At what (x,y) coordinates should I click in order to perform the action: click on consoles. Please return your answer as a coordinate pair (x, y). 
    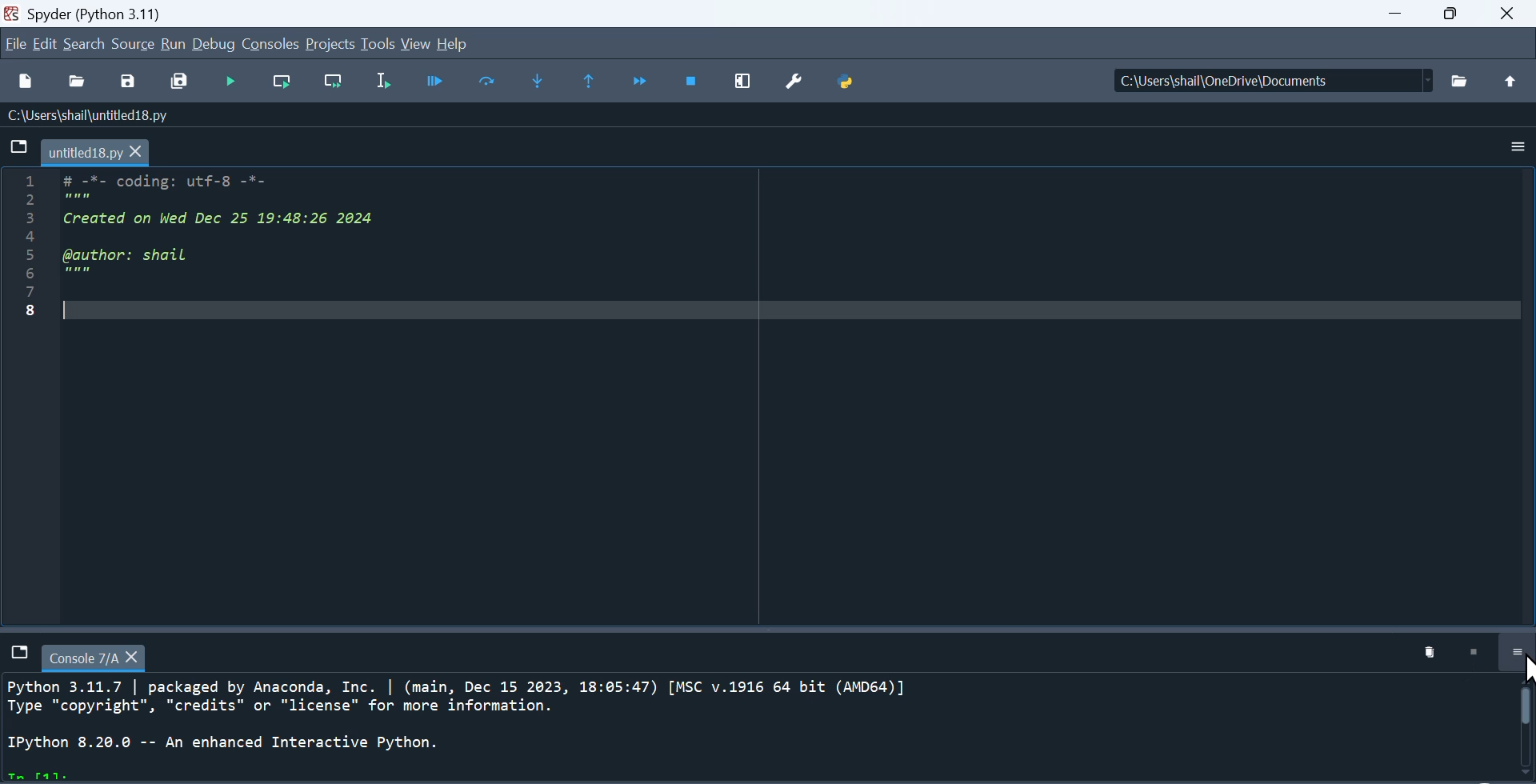
    Looking at the image, I should click on (267, 44).